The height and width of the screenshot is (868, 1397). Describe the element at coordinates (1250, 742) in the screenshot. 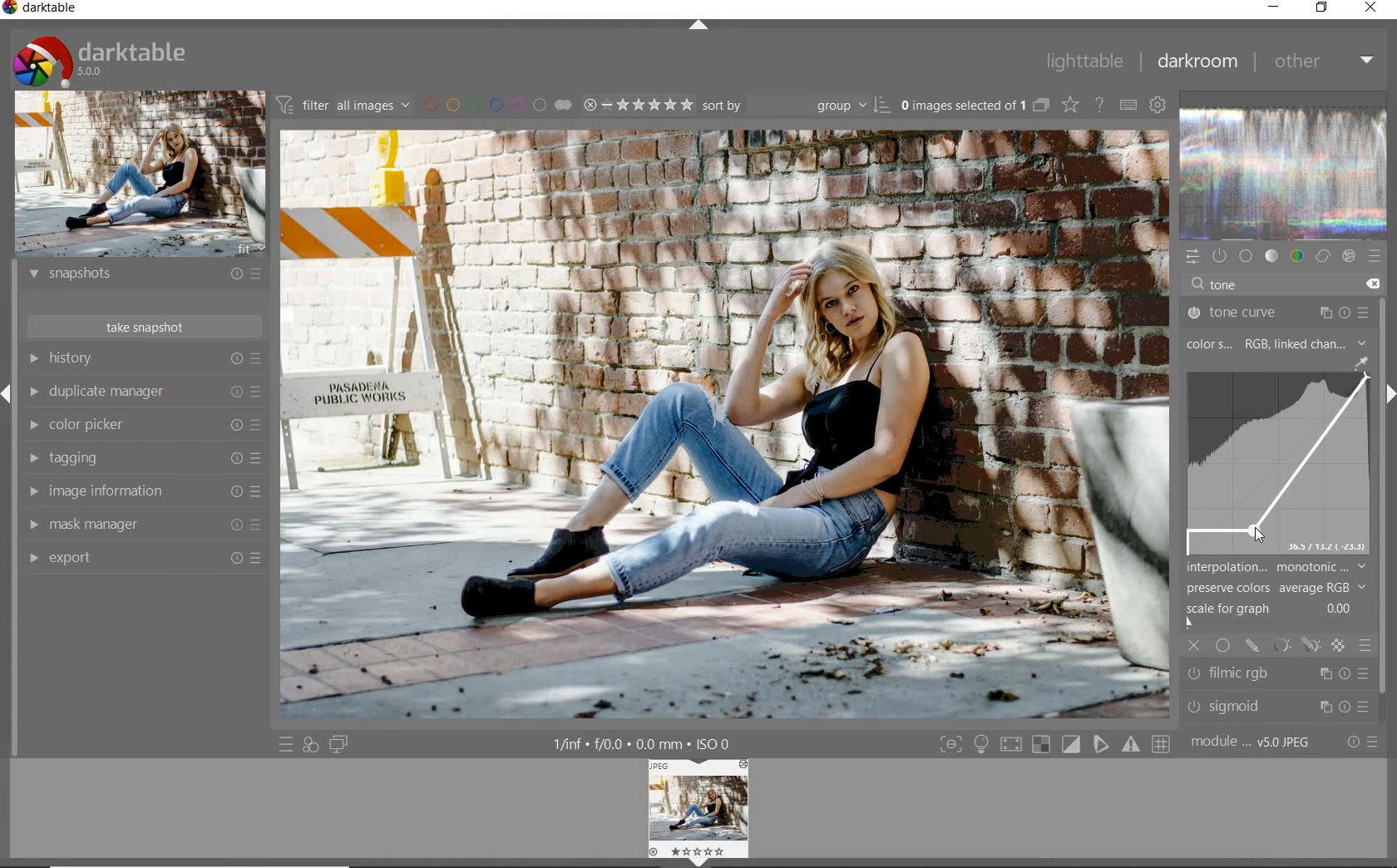

I see `module` at that location.